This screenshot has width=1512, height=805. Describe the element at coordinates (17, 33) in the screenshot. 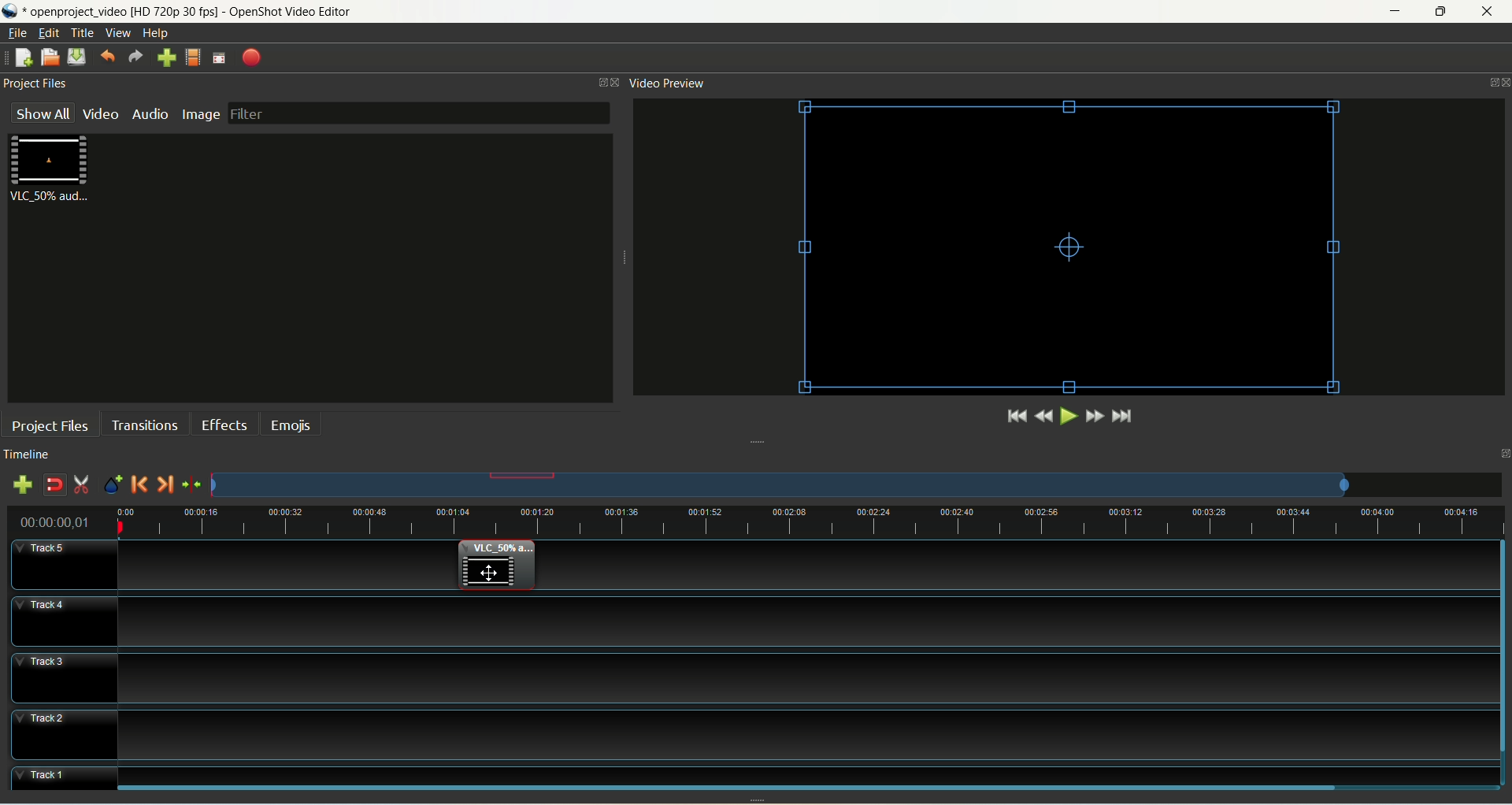

I see `file` at that location.